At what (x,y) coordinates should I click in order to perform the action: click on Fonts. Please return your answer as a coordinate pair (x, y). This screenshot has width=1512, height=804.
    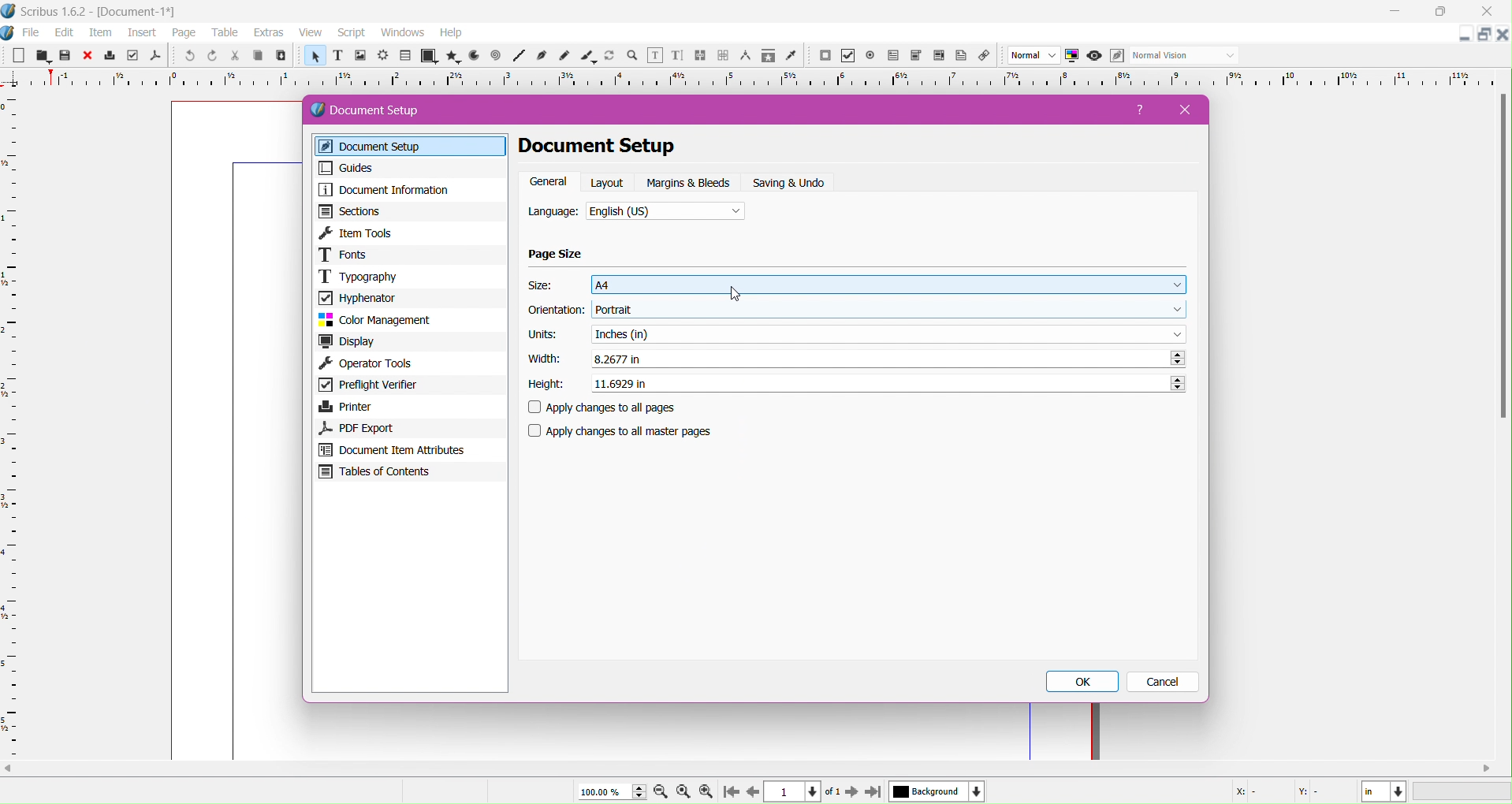
    Looking at the image, I should click on (411, 255).